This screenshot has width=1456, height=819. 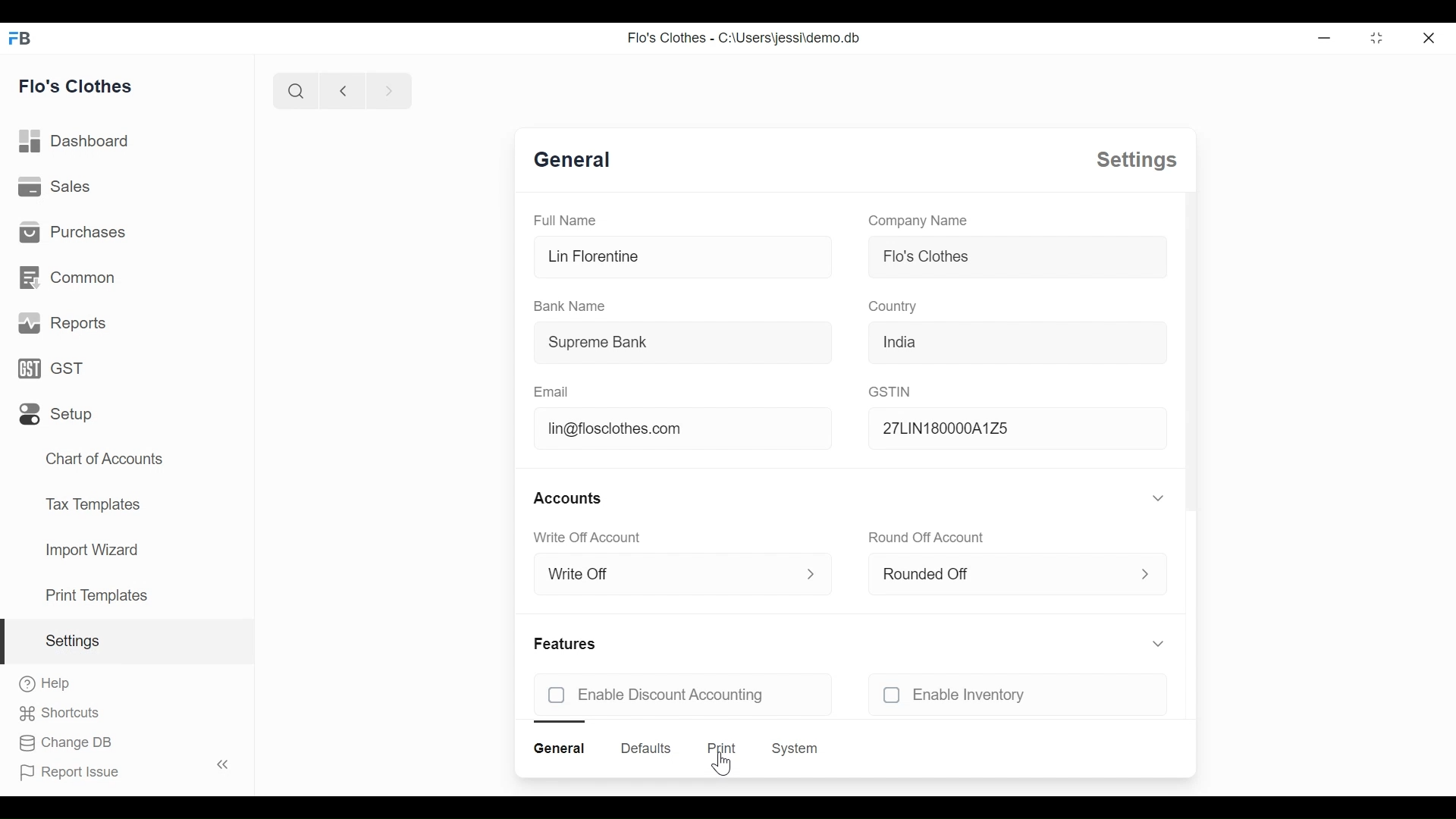 What do you see at coordinates (1039, 695) in the screenshot?
I see `enable inventory` at bounding box center [1039, 695].